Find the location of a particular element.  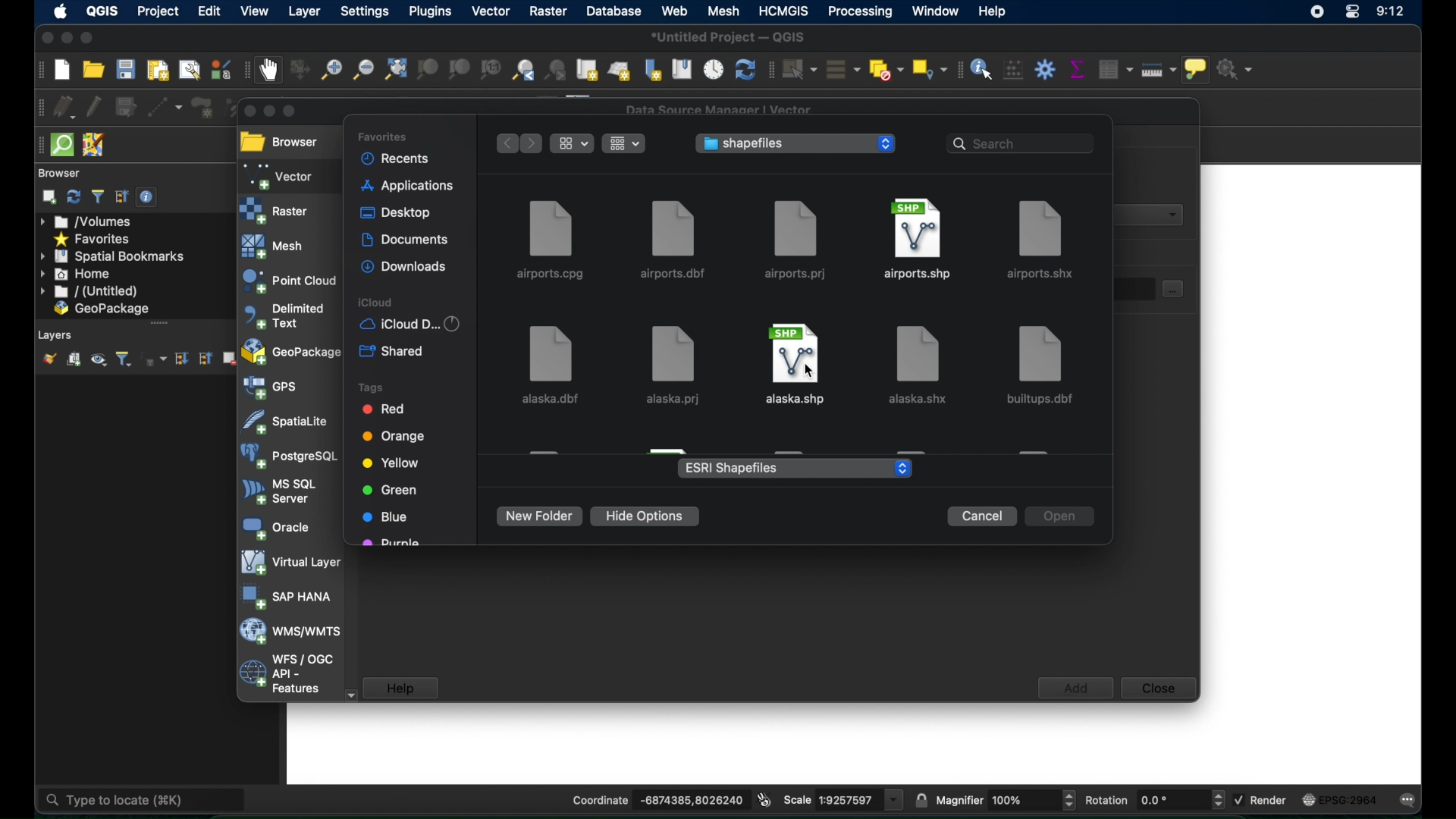

obscured file is located at coordinates (789, 453).